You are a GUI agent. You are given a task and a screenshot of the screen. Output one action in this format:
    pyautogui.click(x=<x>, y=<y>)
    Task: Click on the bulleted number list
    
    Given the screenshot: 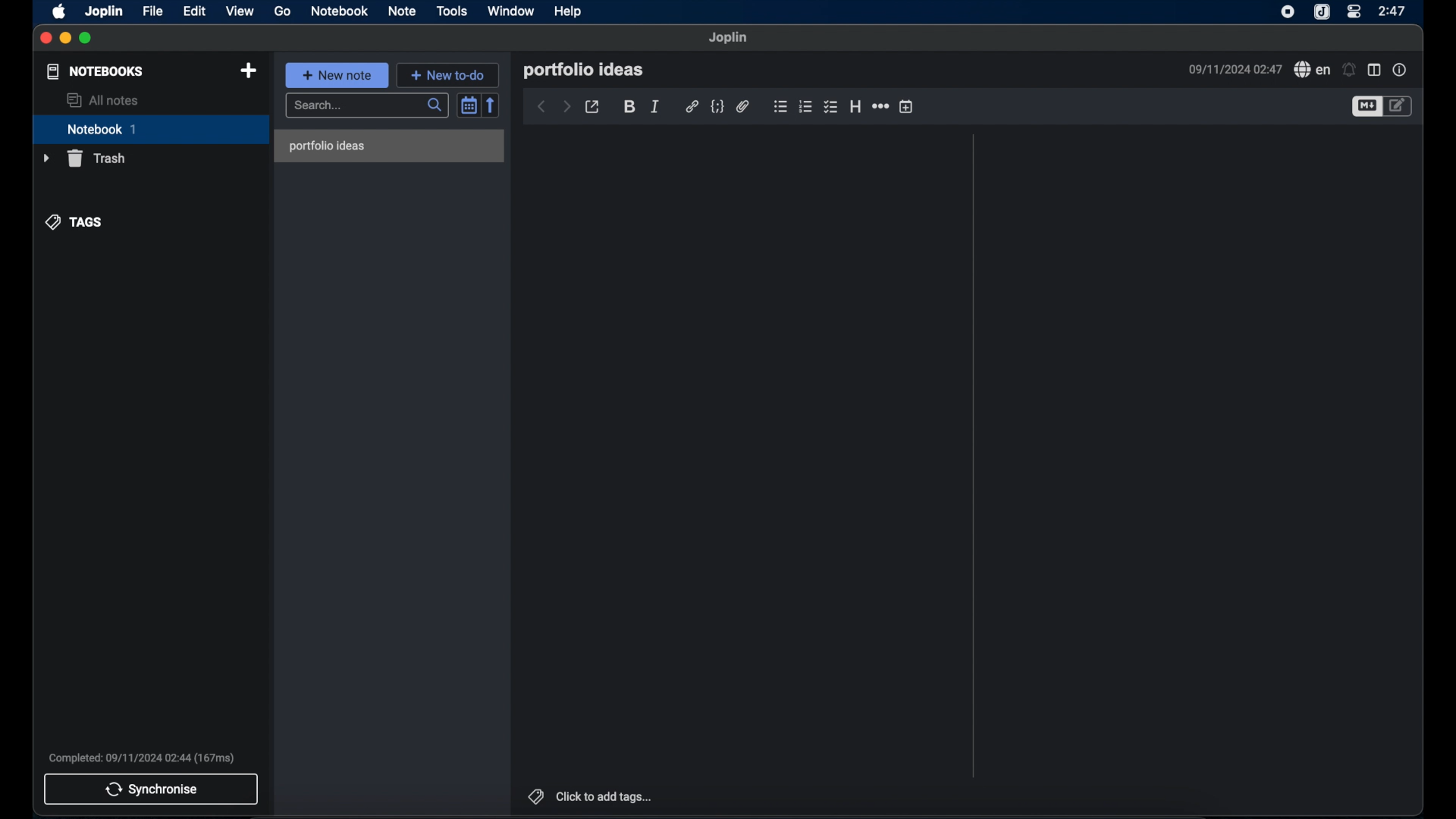 What is the action you would take?
    pyautogui.click(x=805, y=107)
    